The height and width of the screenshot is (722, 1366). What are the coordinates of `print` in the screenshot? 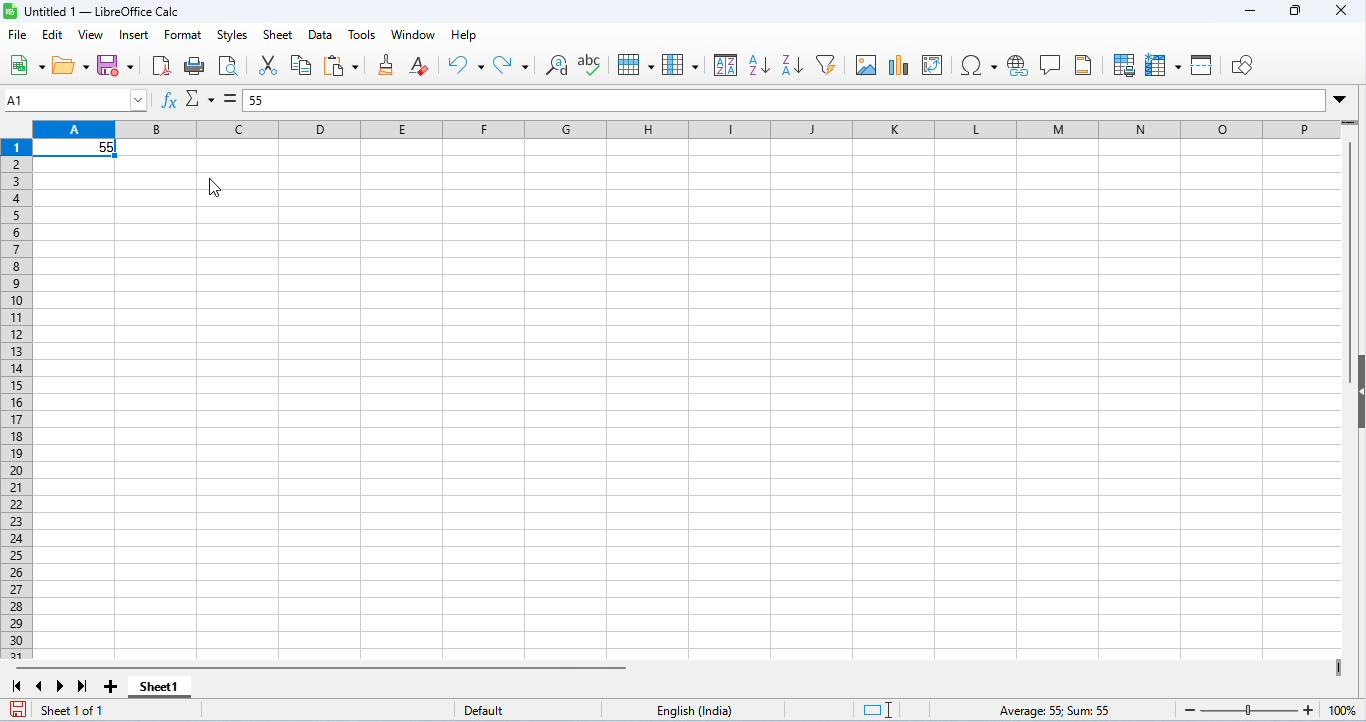 It's located at (197, 67).